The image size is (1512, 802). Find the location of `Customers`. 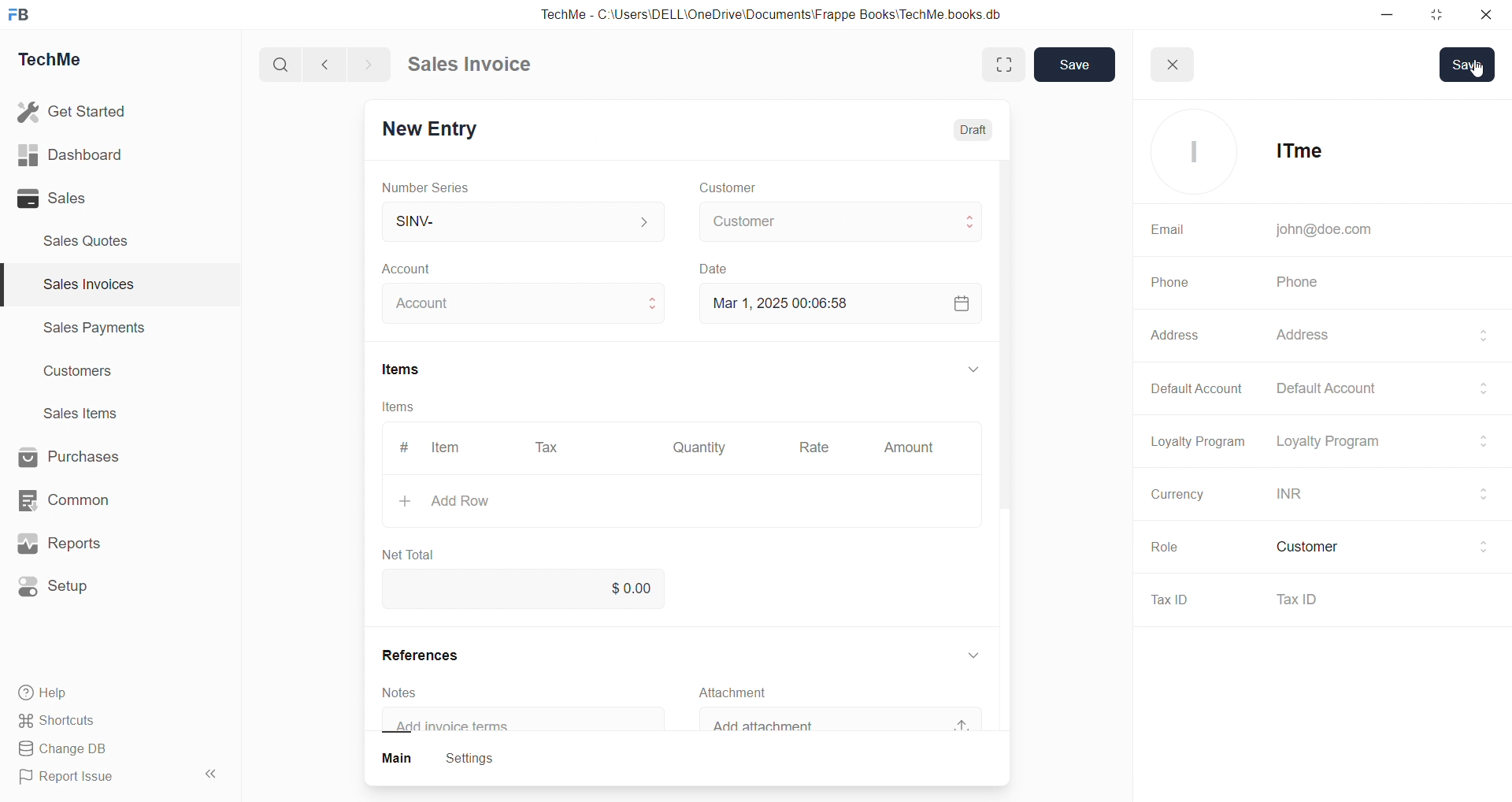

Customers is located at coordinates (87, 375).